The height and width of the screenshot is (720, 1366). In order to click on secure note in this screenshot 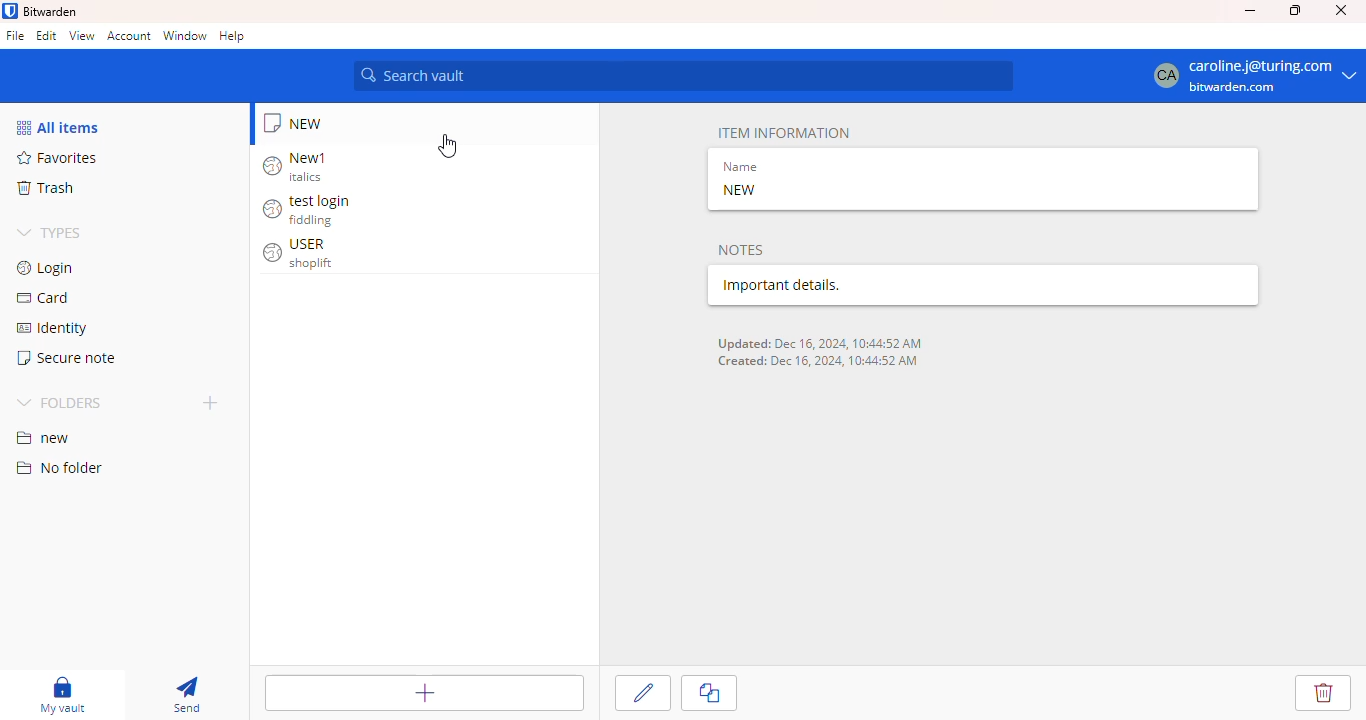, I will do `click(303, 122)`.